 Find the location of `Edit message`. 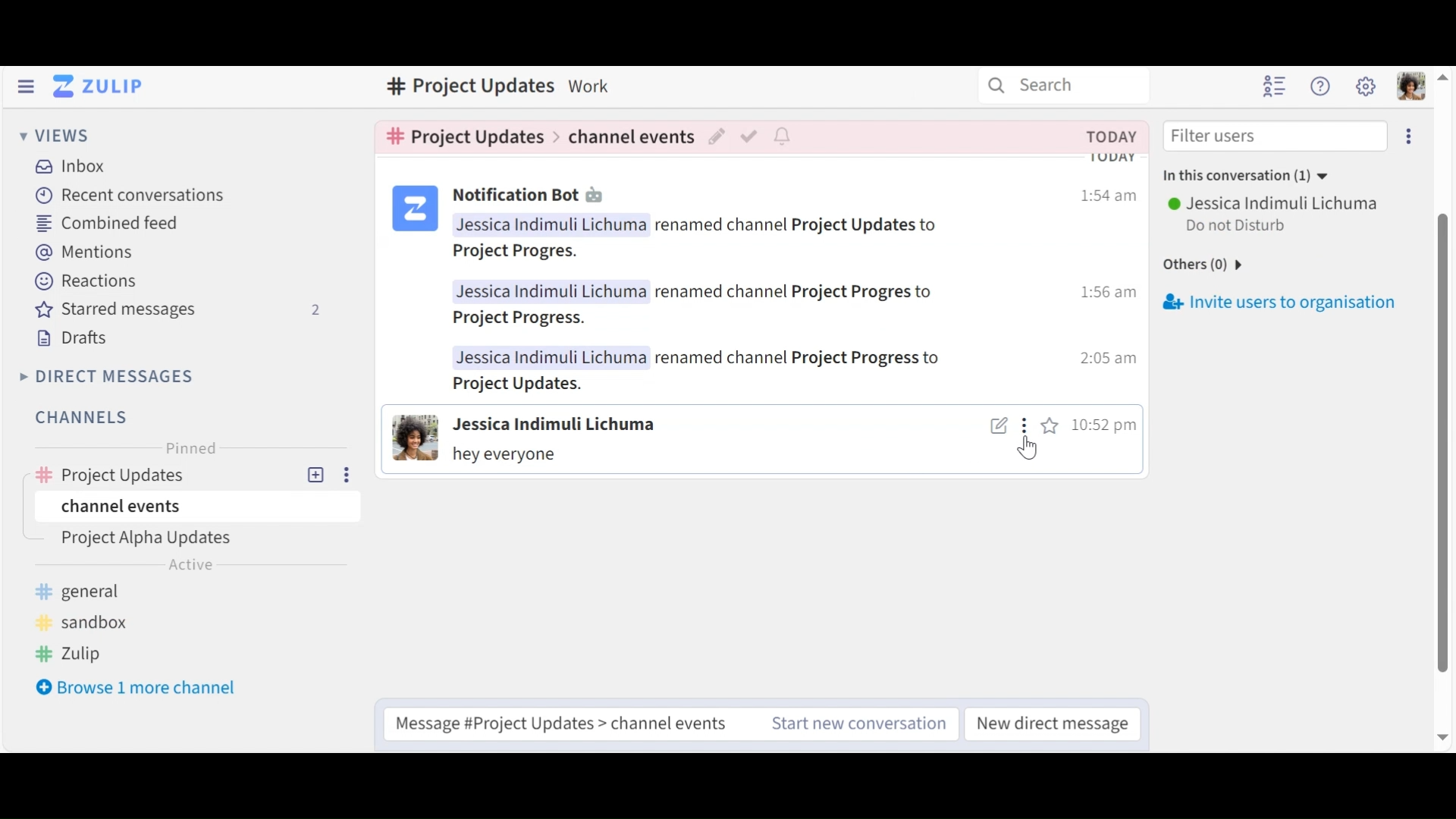

Edit message is located at coordinates (999, 427).